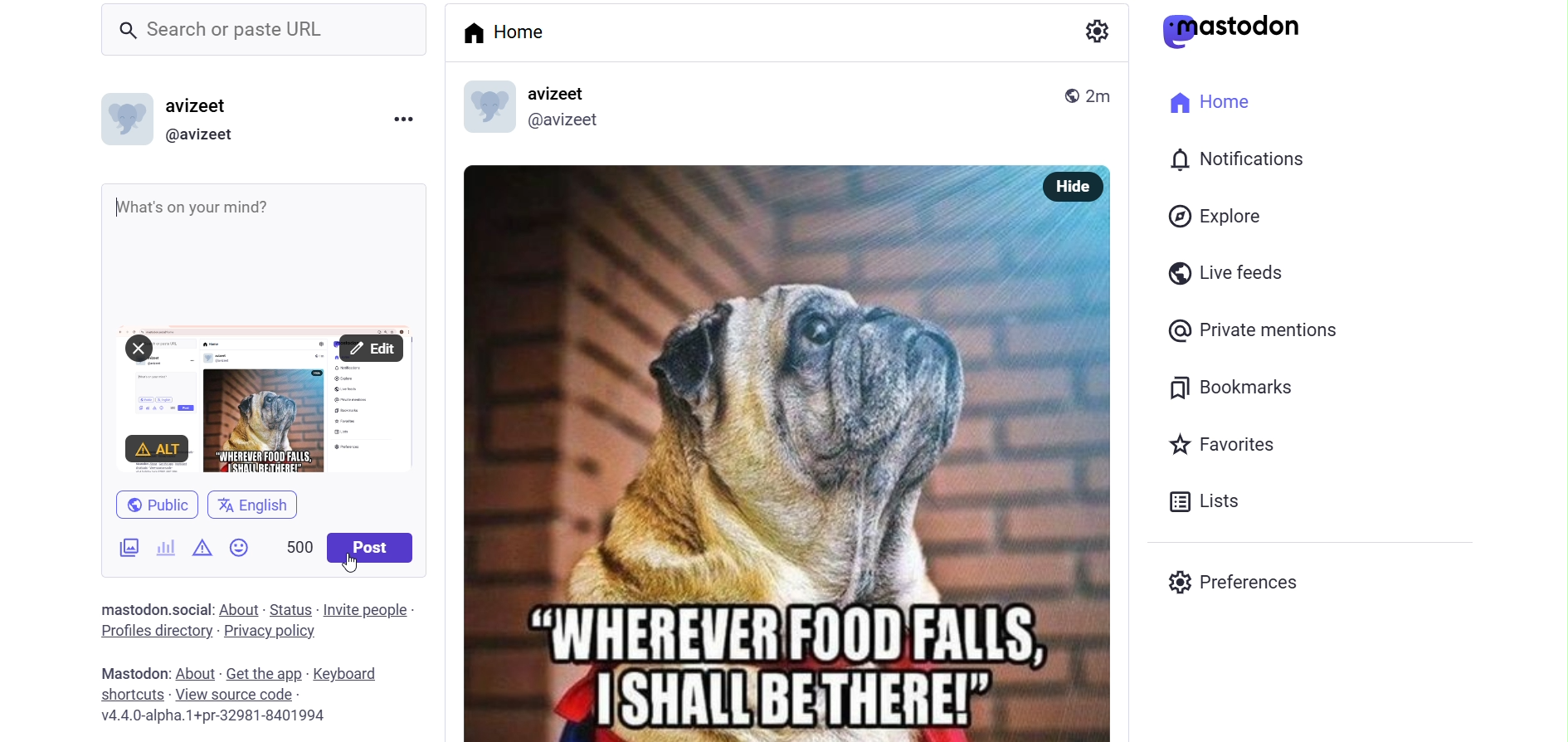 Image resolution: width=1568 pixels, height=742 pixels. I want to click on public, so click(1055, 91).